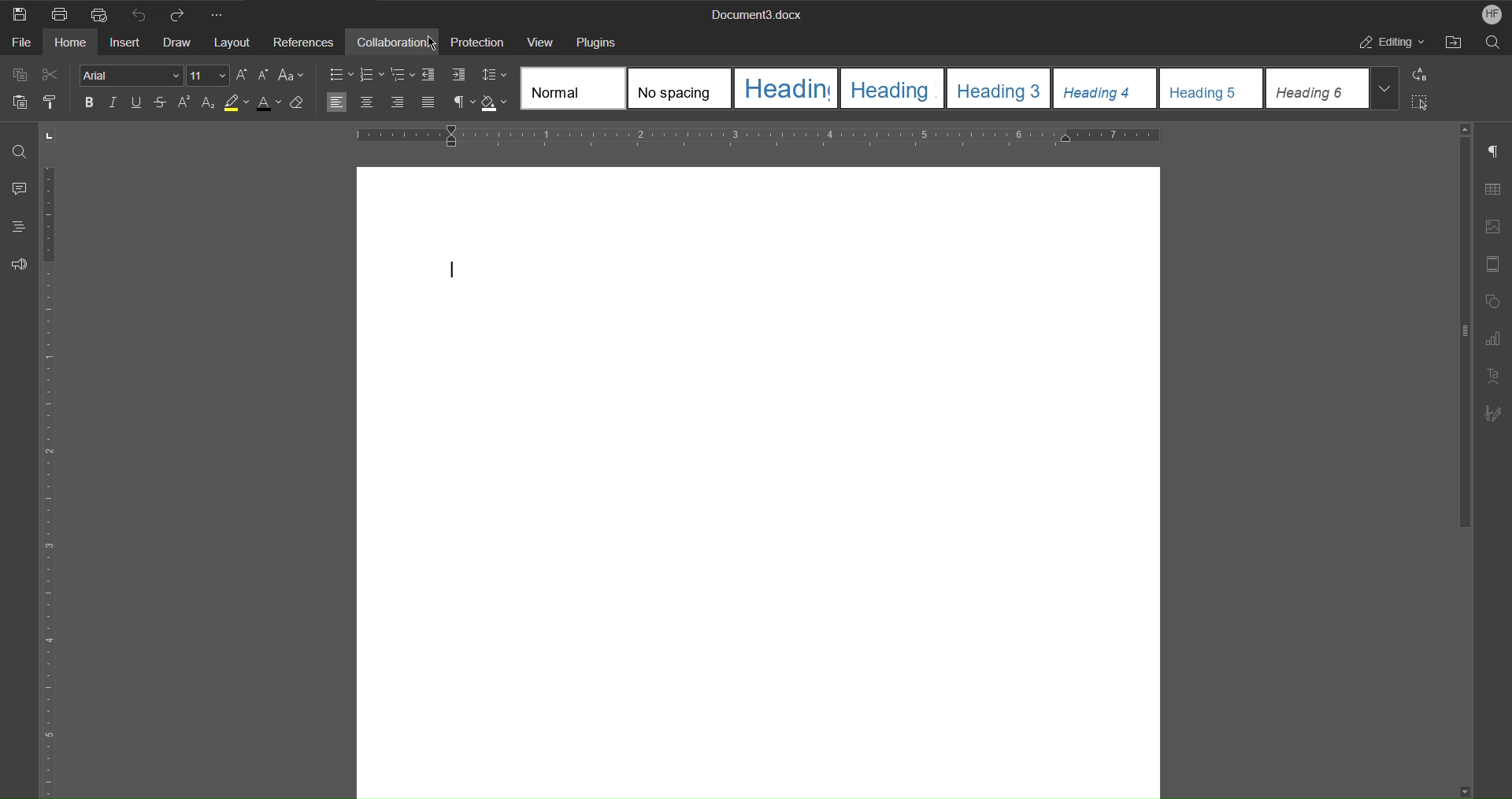 This screenshot has width=1512, height=799. What do you see at coordinates (178, 46) in the screenshot?
I see `Draw` at bounding box center [178, 46].